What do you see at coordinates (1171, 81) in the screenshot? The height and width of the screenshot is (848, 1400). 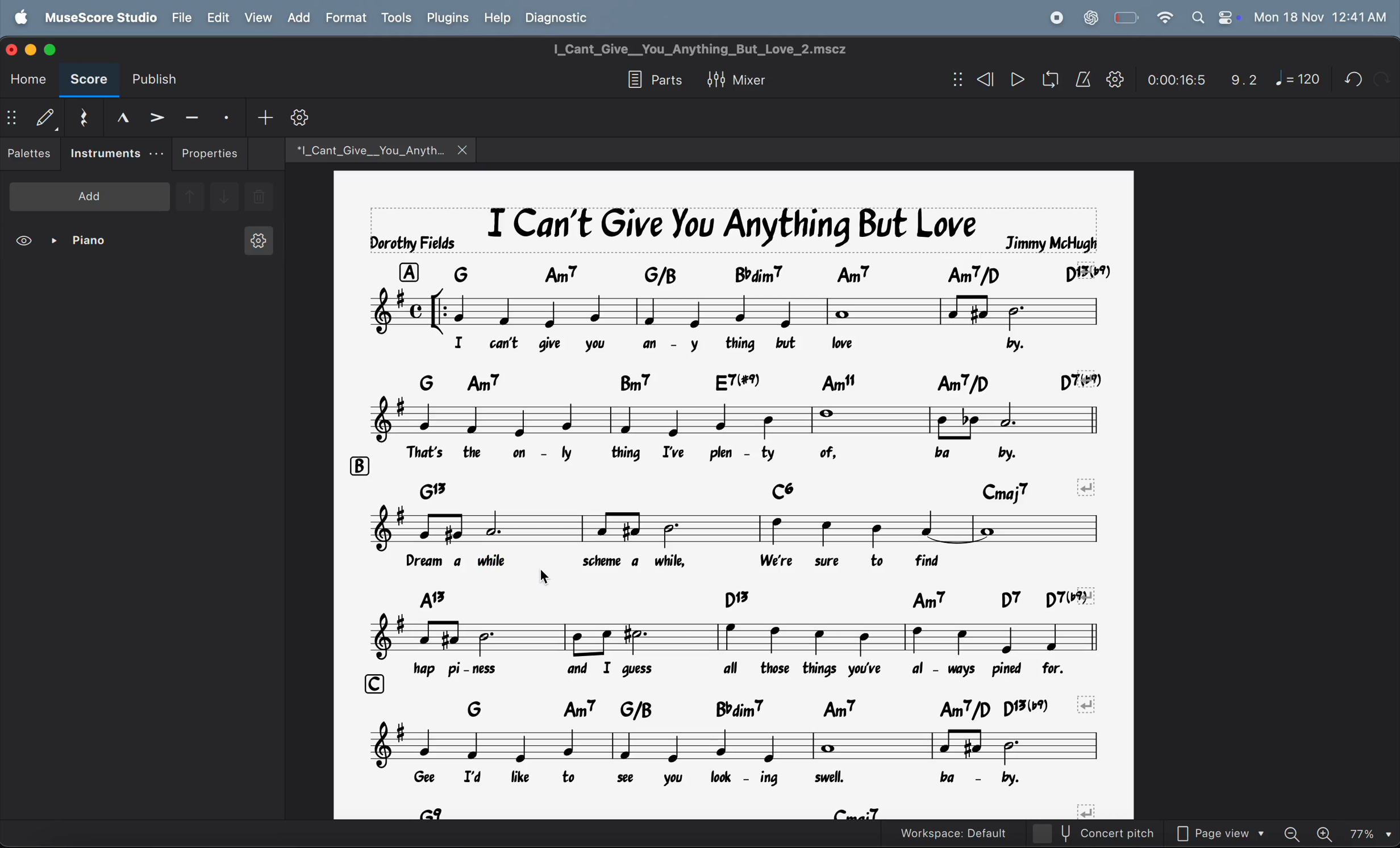 I see `time frame` at bounding box center [1171, 81].